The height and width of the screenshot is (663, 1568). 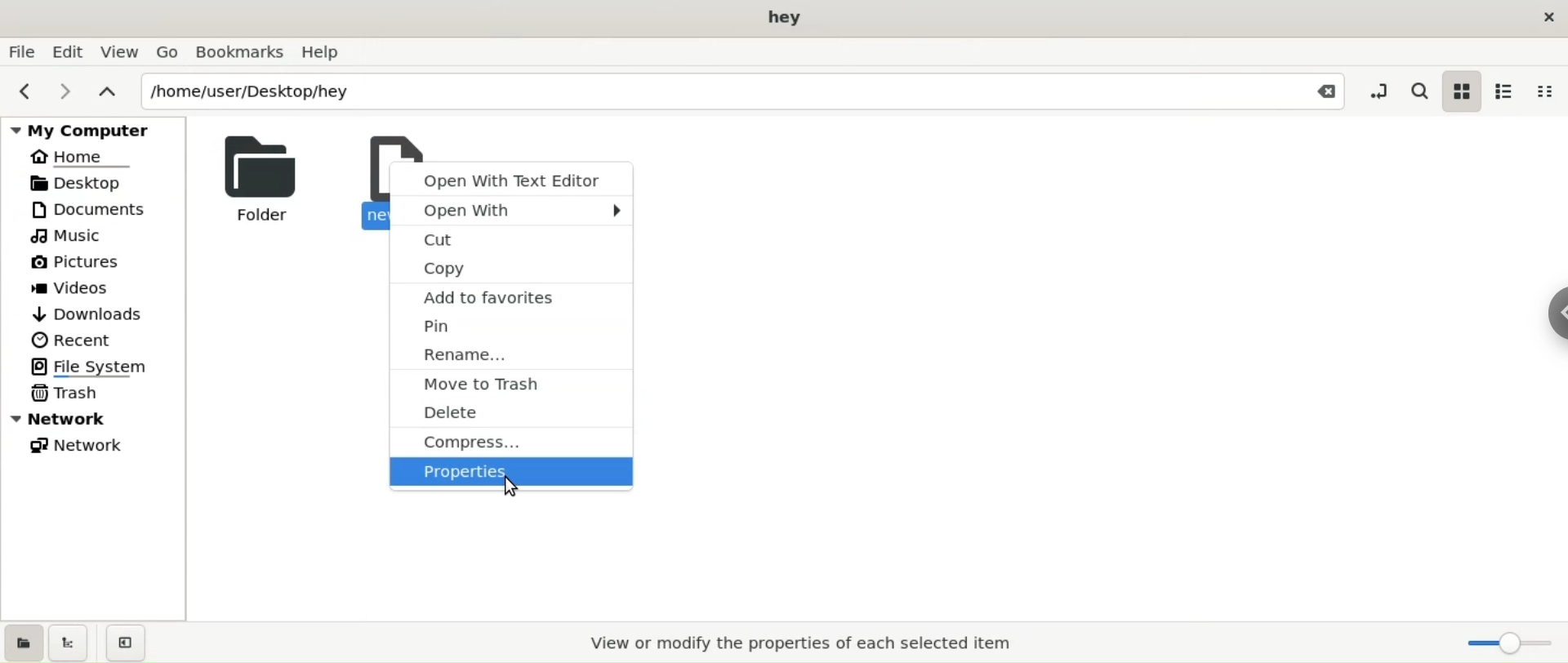 I want to click on cut, so click(x=514, y=236).